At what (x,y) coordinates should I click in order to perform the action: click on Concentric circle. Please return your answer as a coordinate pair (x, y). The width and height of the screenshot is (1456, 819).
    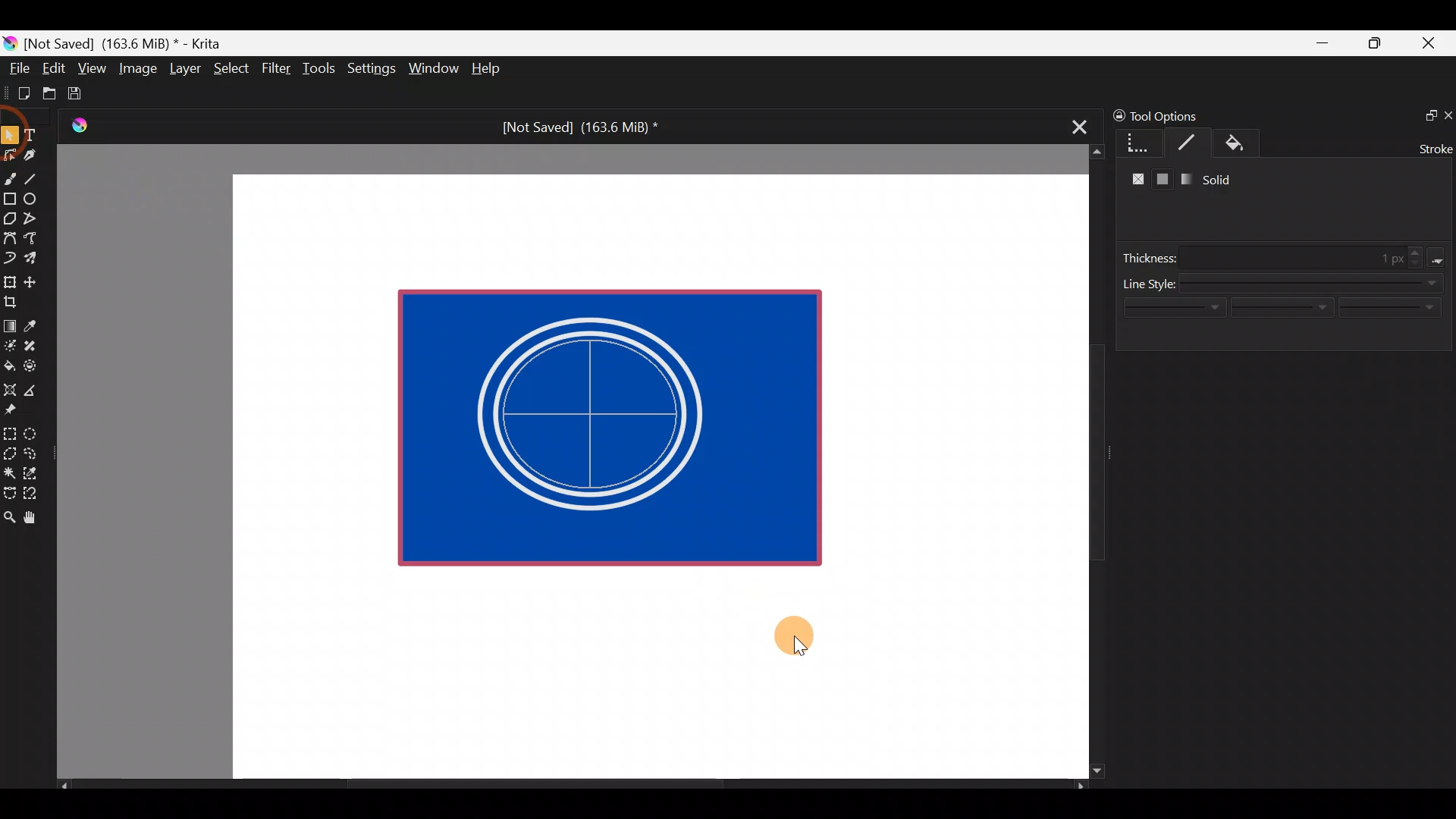
    Looking at the image, I should click on (606, 416).